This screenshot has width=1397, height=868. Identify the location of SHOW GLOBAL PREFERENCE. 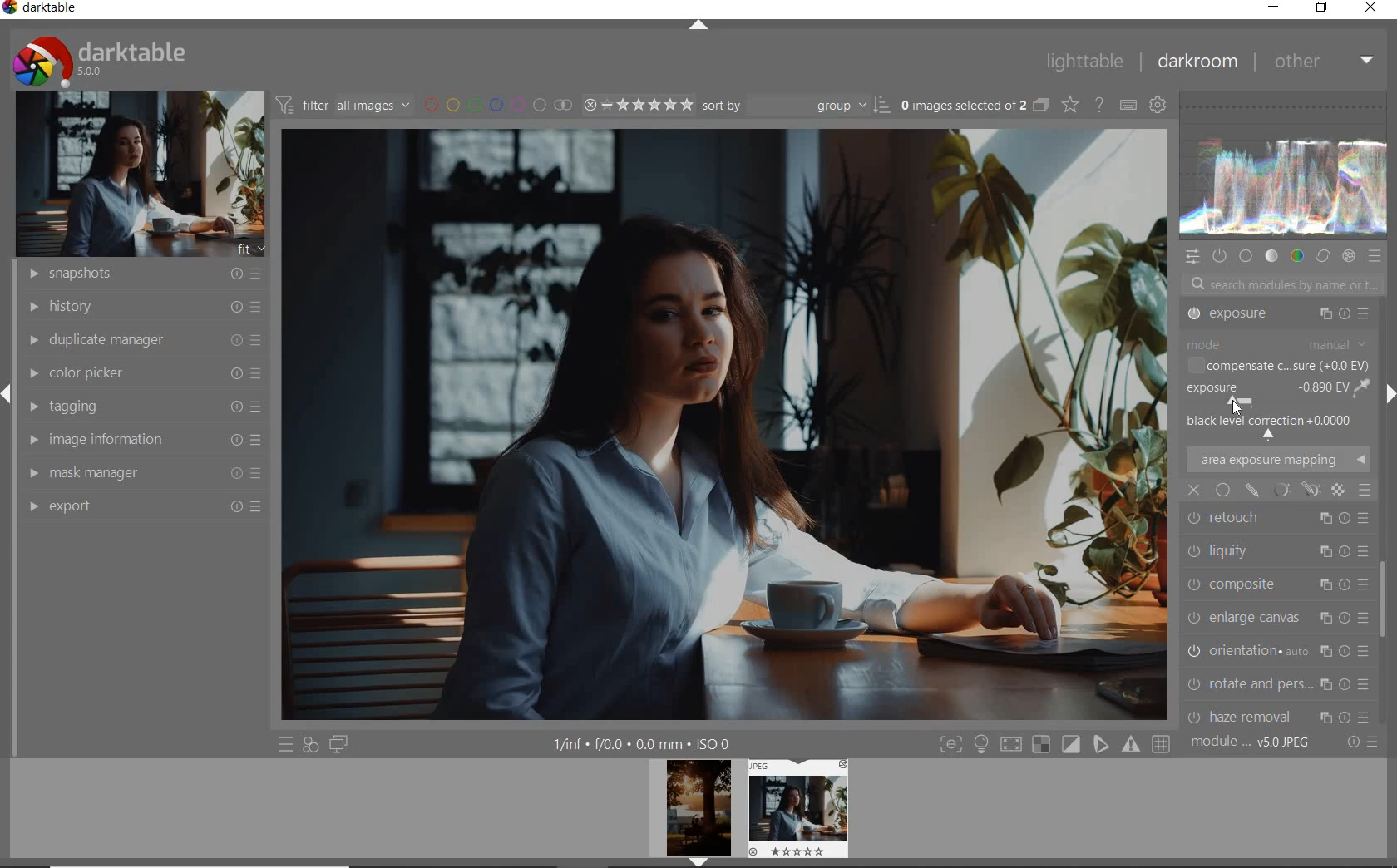
(1159, 105).